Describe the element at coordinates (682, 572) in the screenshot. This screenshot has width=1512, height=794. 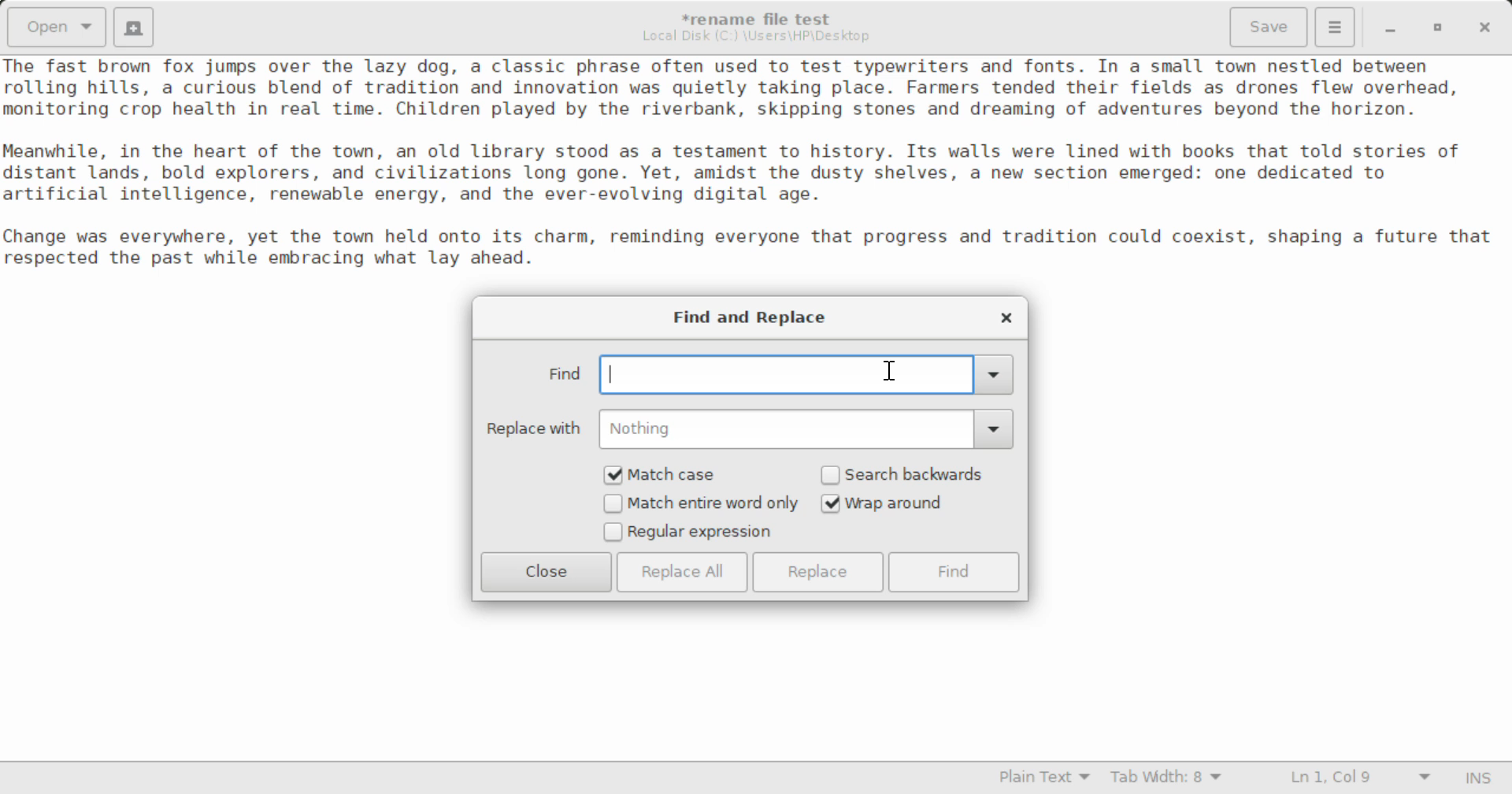
I see `Replace All ` at that location.